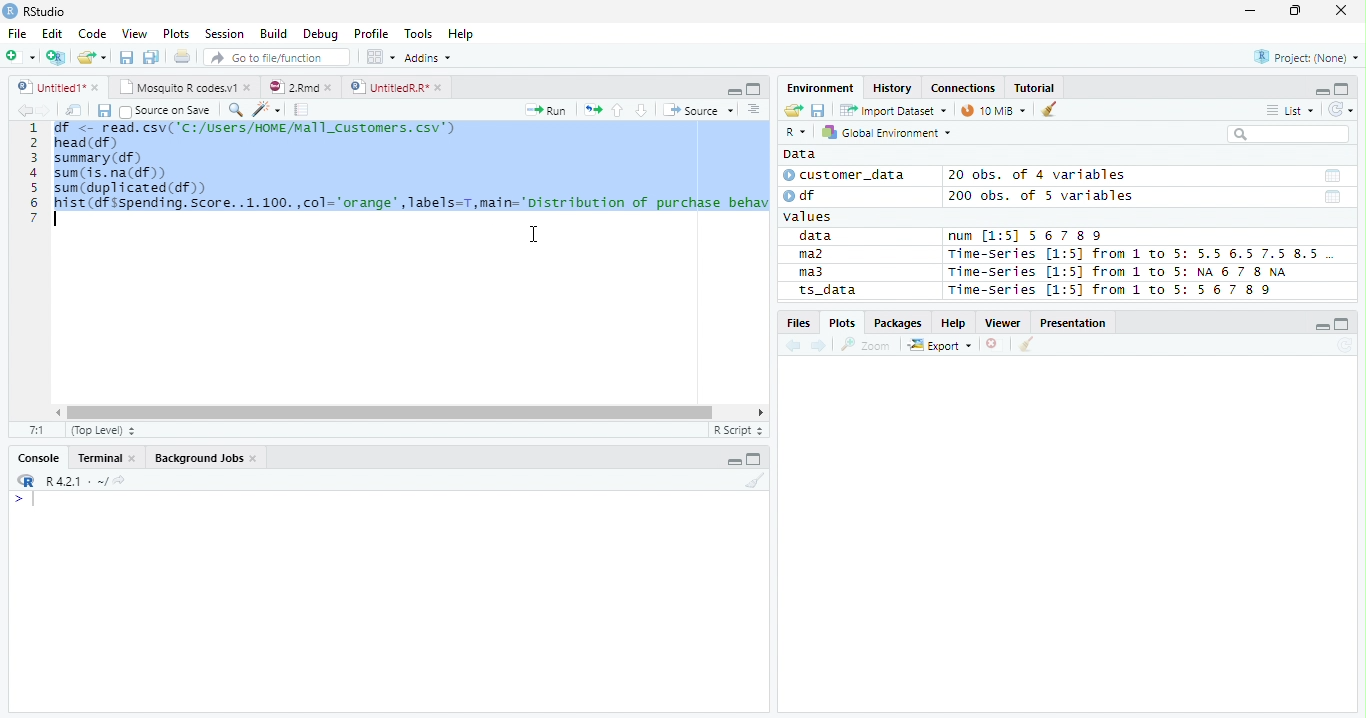 The height and width of the screenshot is (718, 1366). I want to click on Next, so click(820, 347).